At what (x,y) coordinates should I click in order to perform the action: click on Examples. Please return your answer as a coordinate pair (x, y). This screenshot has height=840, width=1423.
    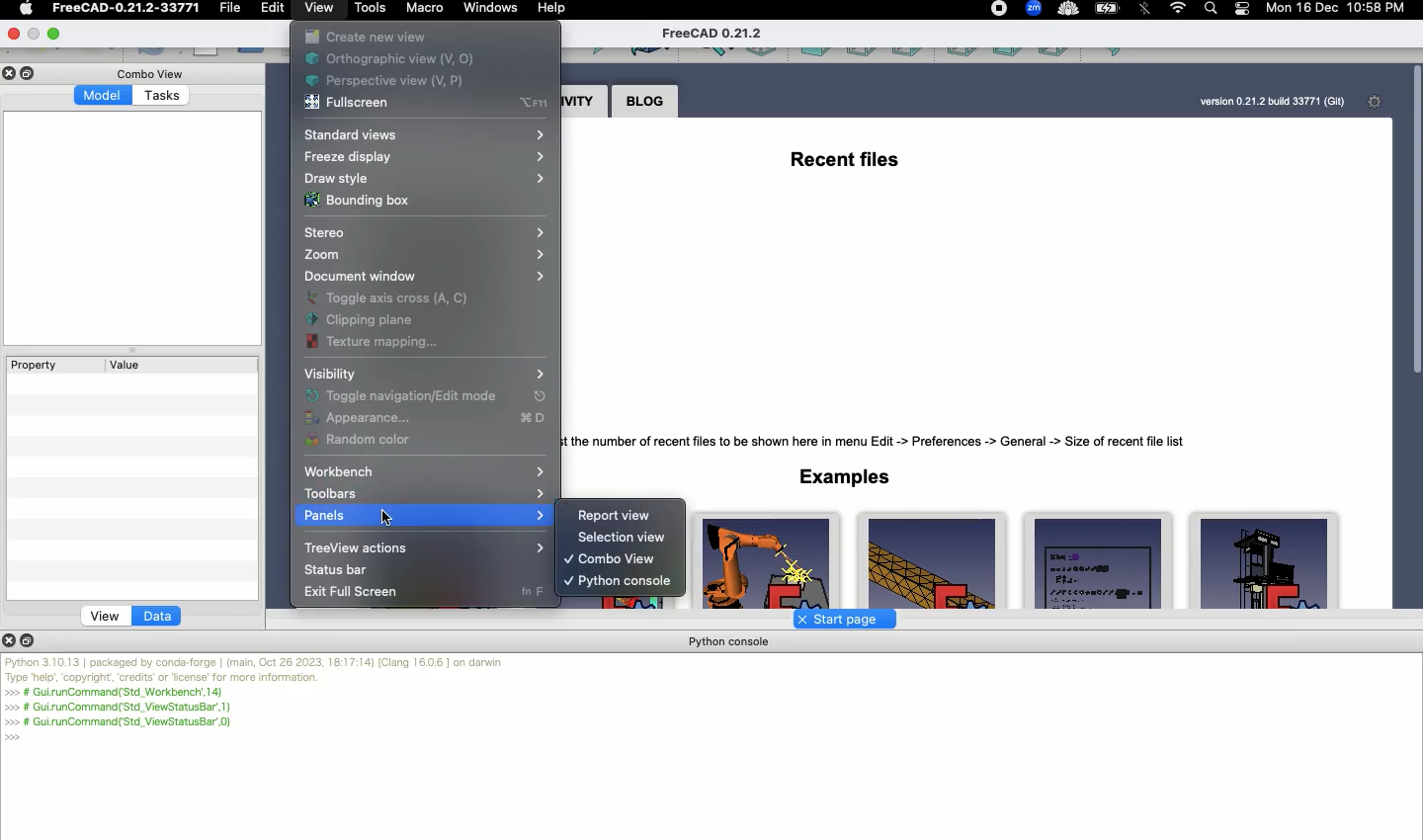
    Looking at the image, I should click on (845, 476).